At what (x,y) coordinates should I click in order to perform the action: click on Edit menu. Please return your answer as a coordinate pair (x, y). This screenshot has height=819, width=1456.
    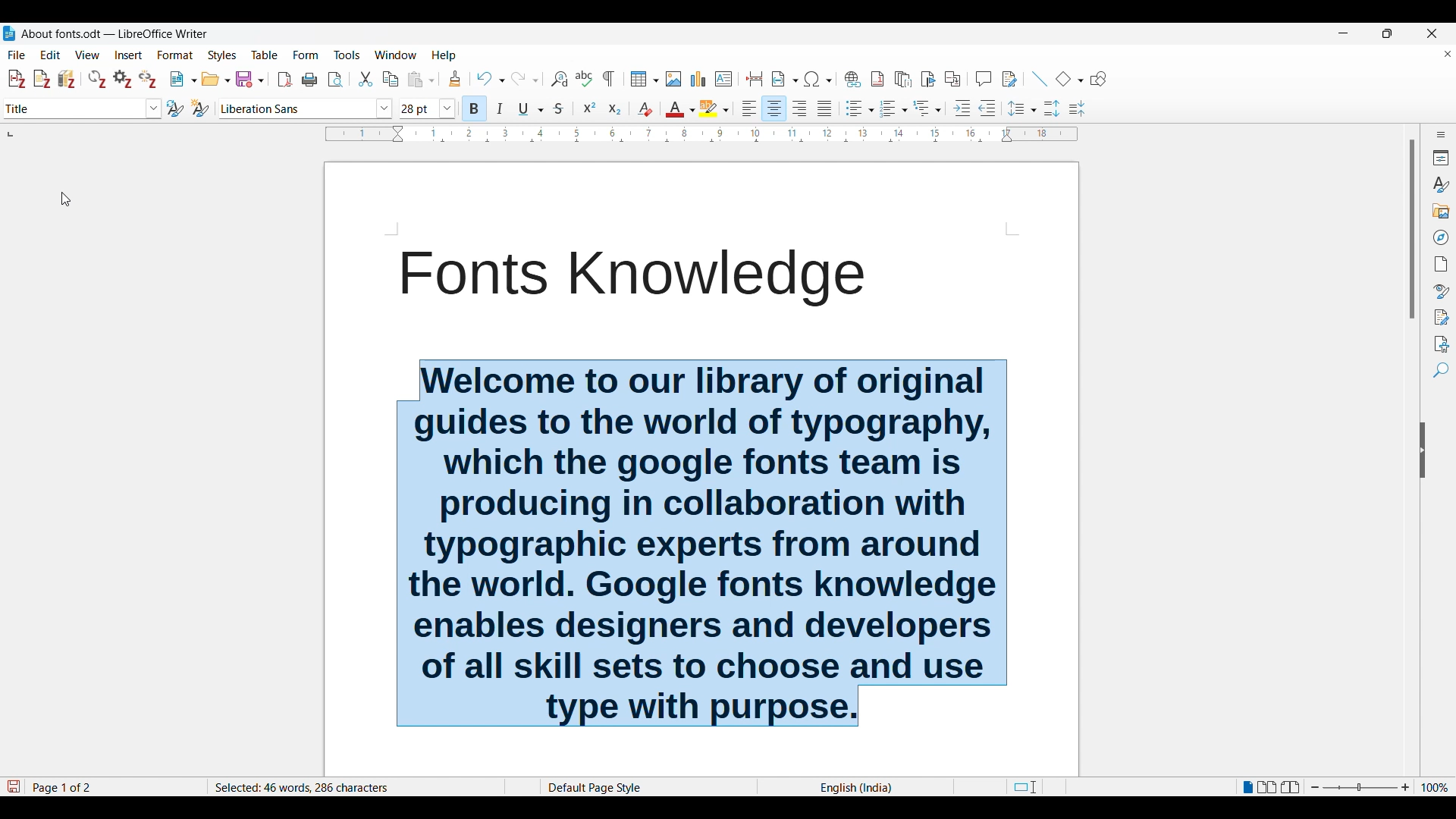
    Looking at the image, I should click on (50, 55).